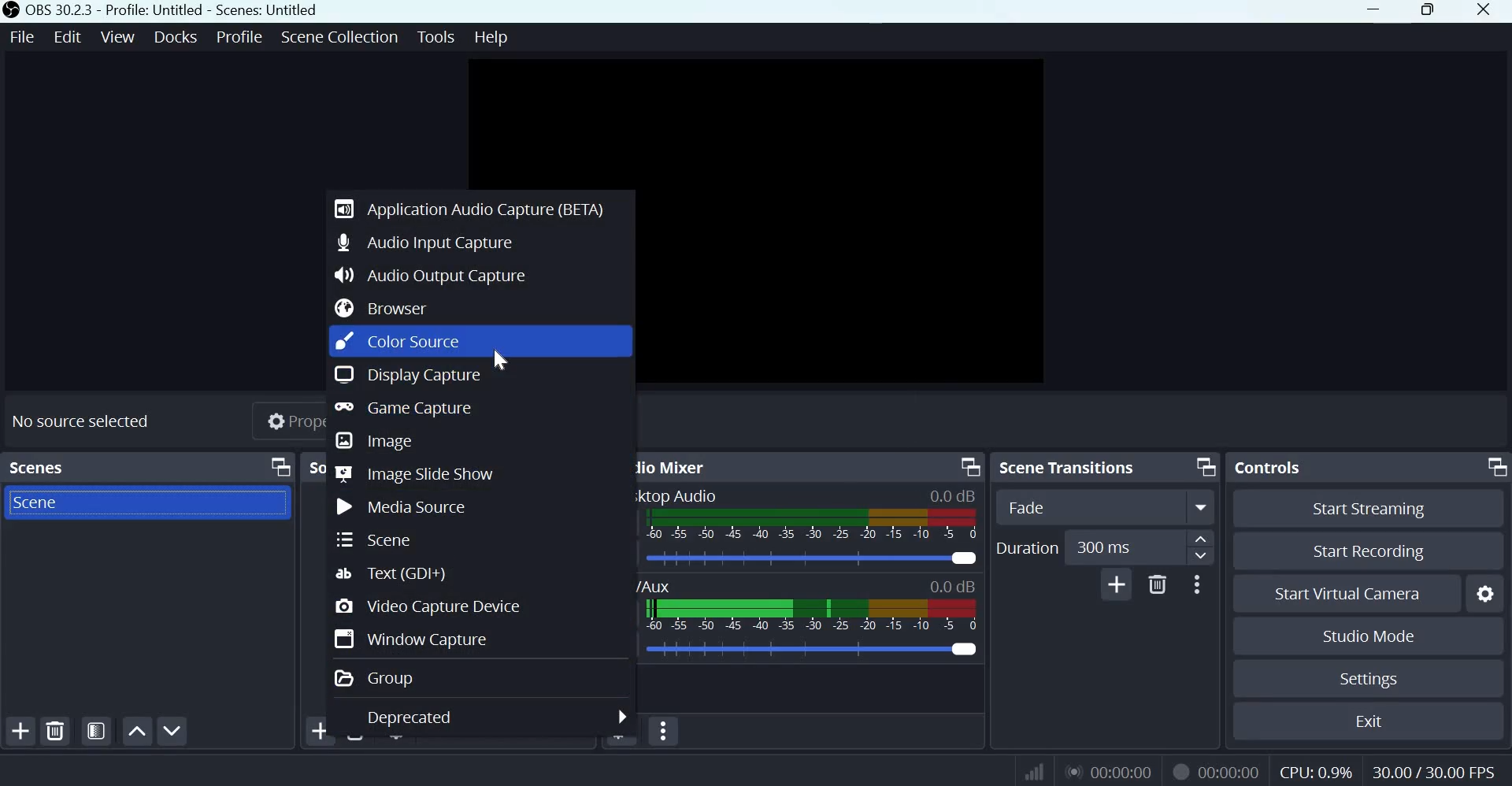  I want to click on Move scene down, so click(176, 732).